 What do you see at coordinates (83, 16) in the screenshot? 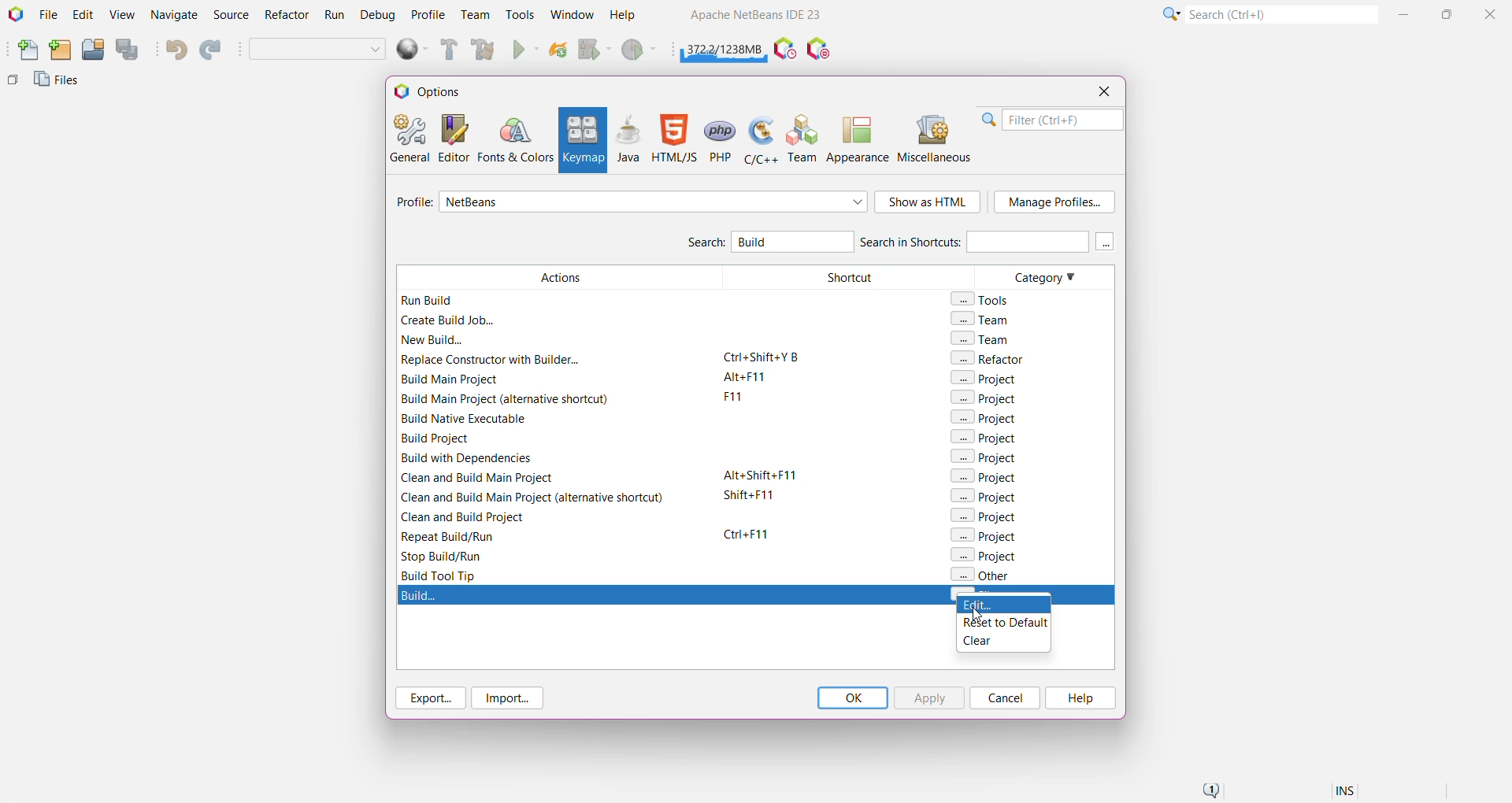
I see `Edit` at bounding box center [83, 16].